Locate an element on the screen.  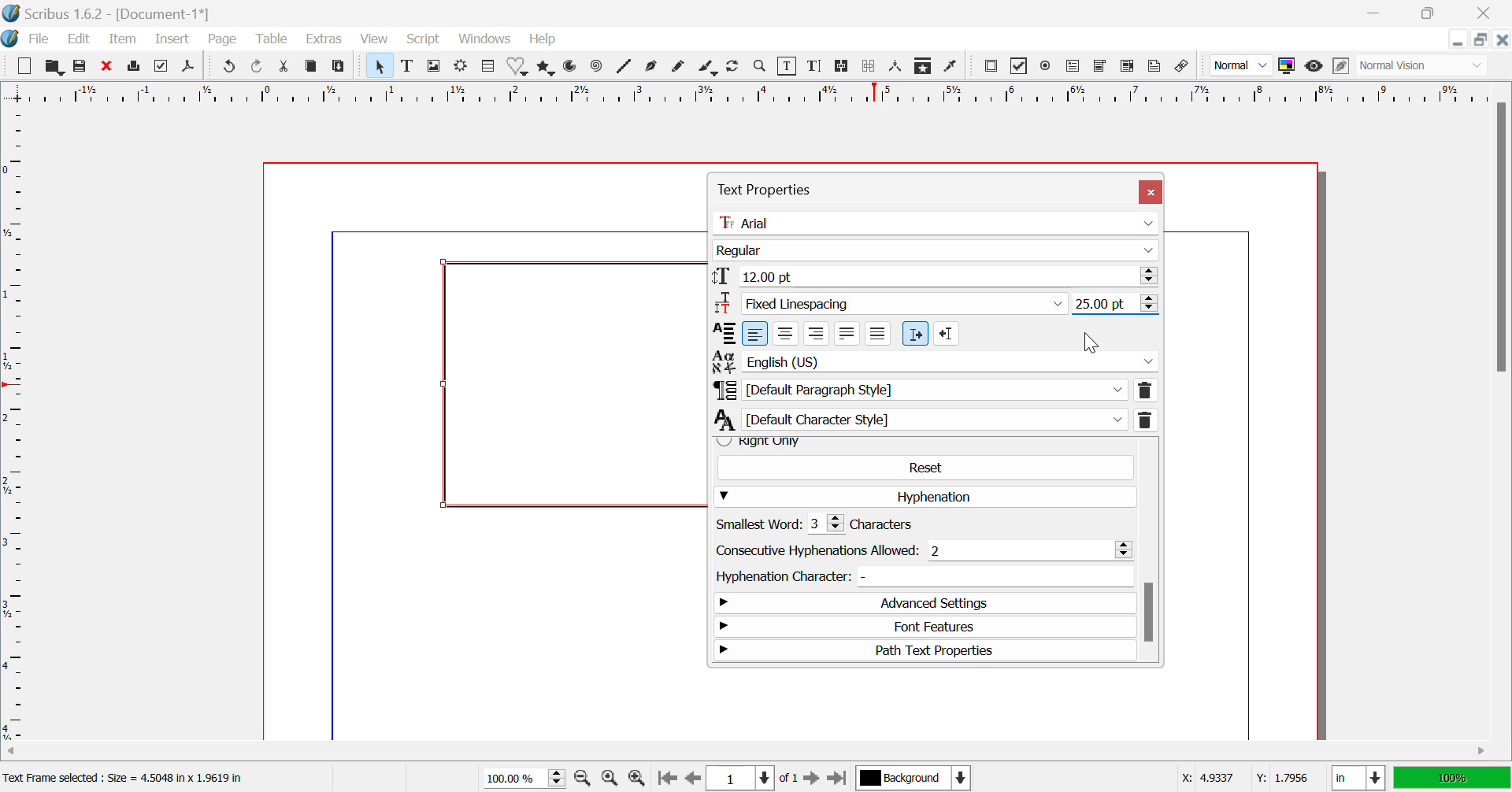
Reset is located at coordinates (925, 467).